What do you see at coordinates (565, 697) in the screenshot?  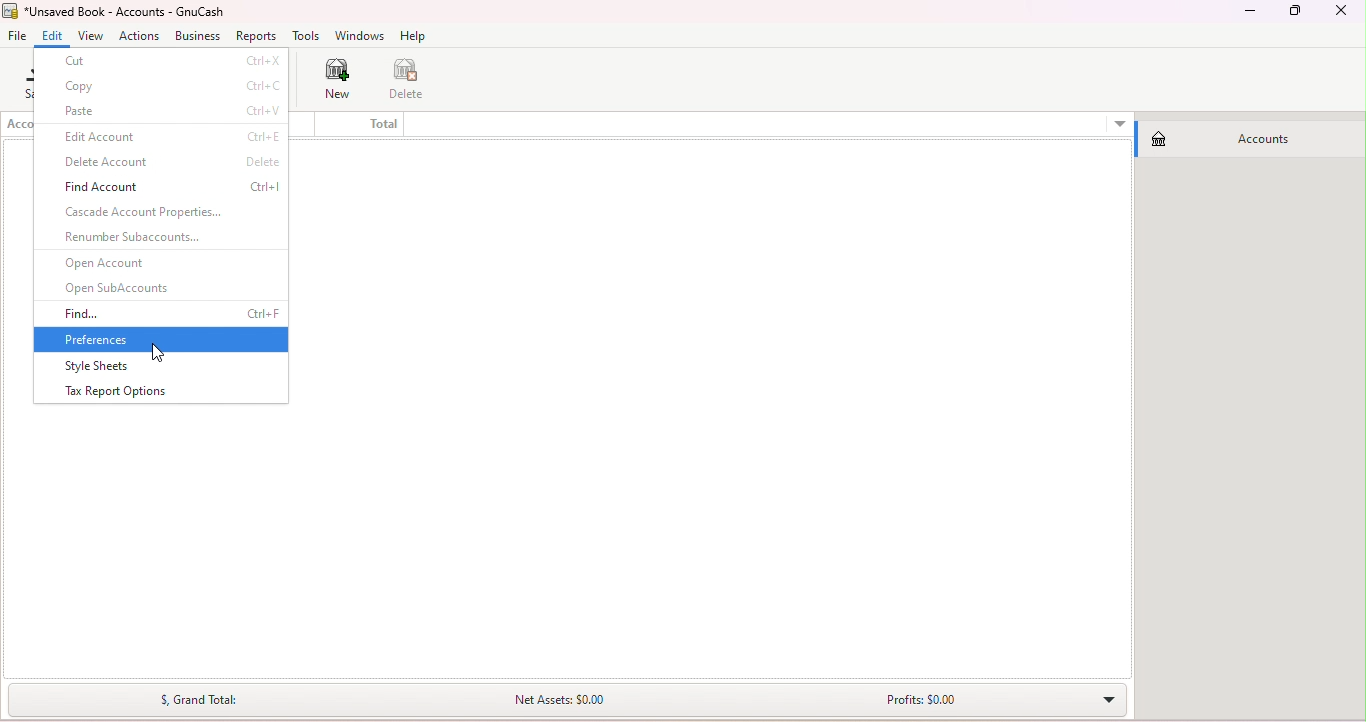 I see `Summary bar drop down` at bounding box center [565, 697].